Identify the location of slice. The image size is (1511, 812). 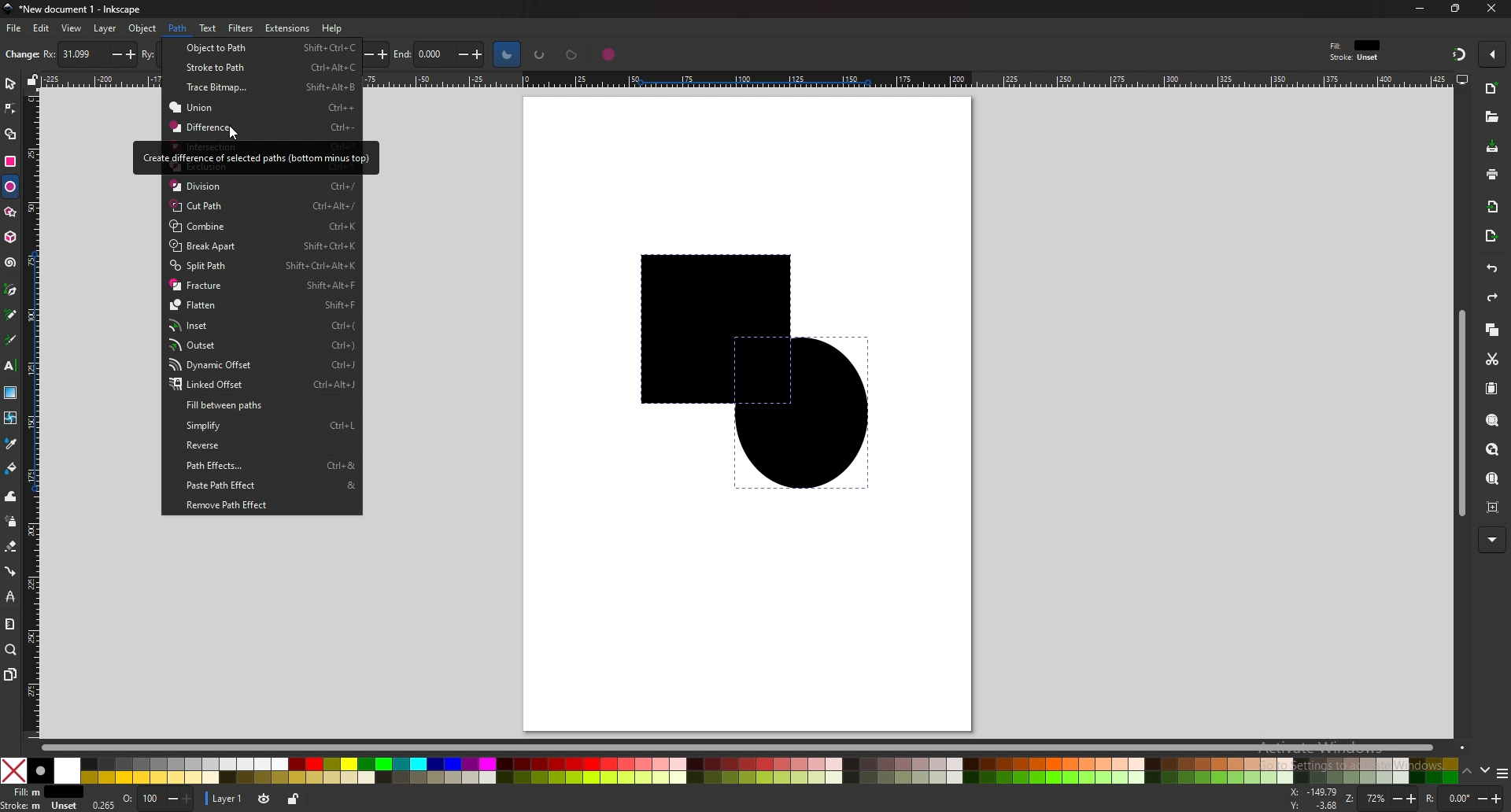
(507, 54).